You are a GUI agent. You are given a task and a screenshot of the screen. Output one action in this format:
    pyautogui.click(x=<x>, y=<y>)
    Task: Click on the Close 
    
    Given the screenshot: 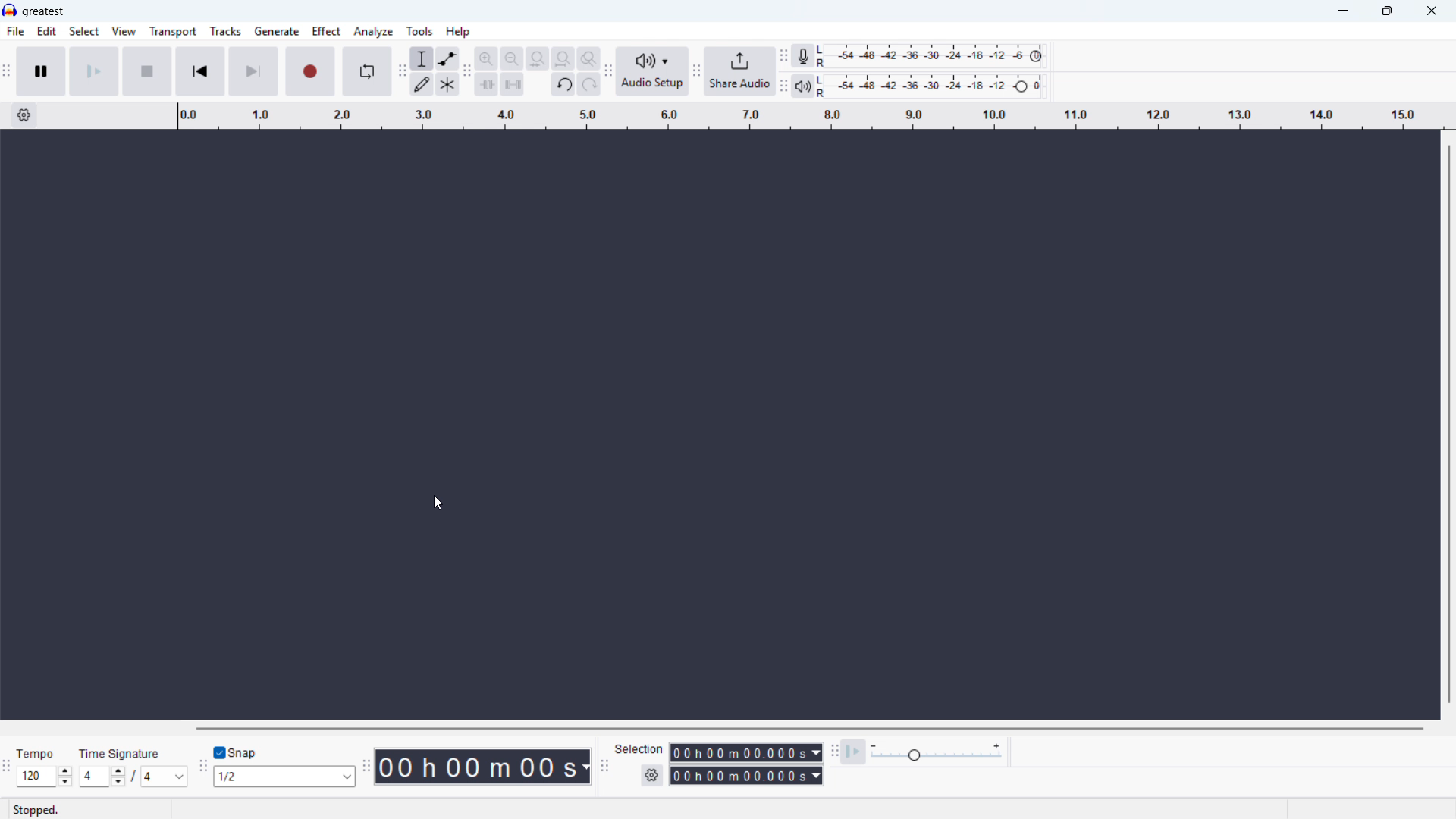 What is the action you would take?
    pyautogui.click(x=1432, y=11)
    